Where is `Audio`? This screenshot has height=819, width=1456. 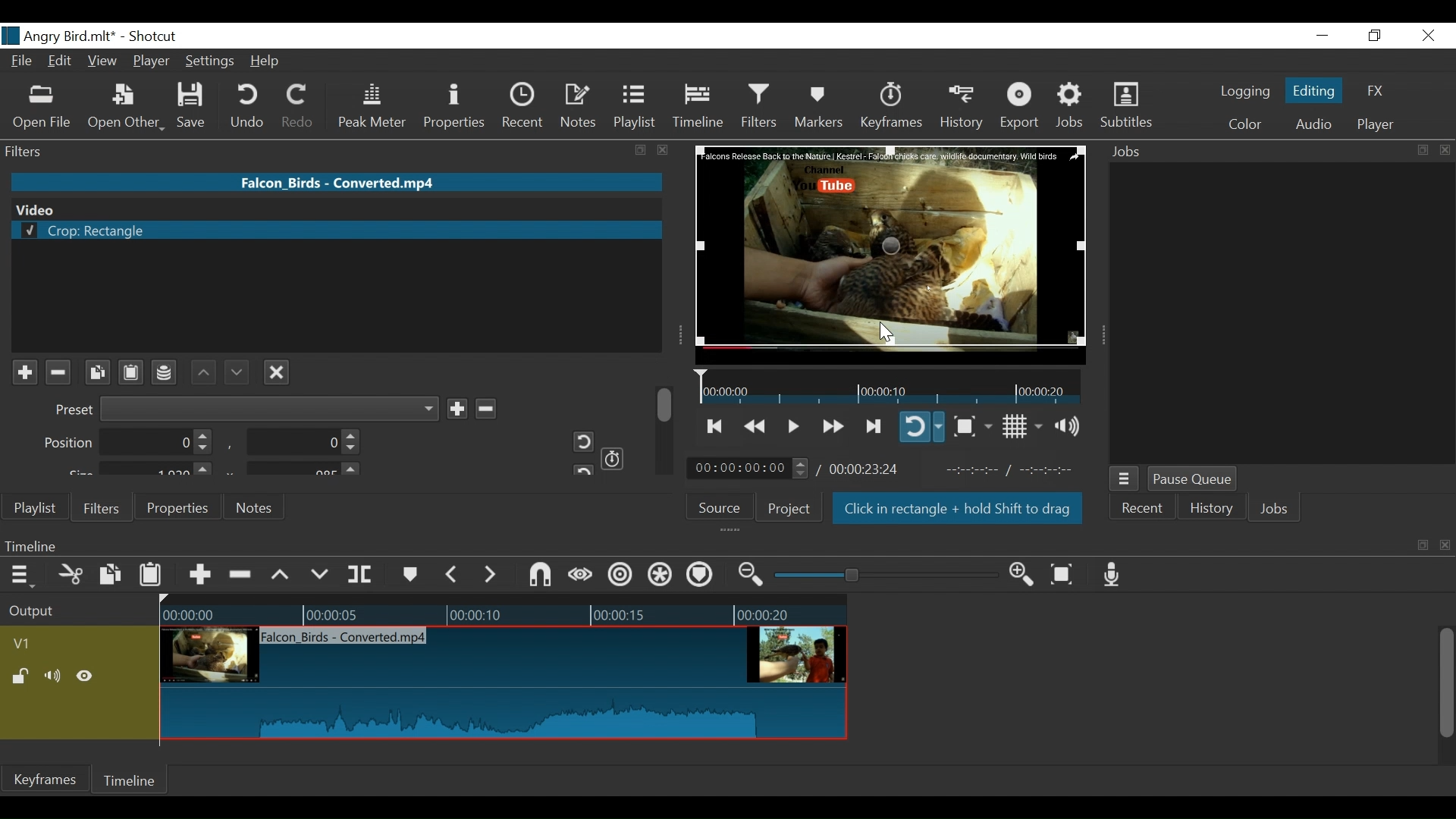 Audio is located at coordinates (1313, 126).